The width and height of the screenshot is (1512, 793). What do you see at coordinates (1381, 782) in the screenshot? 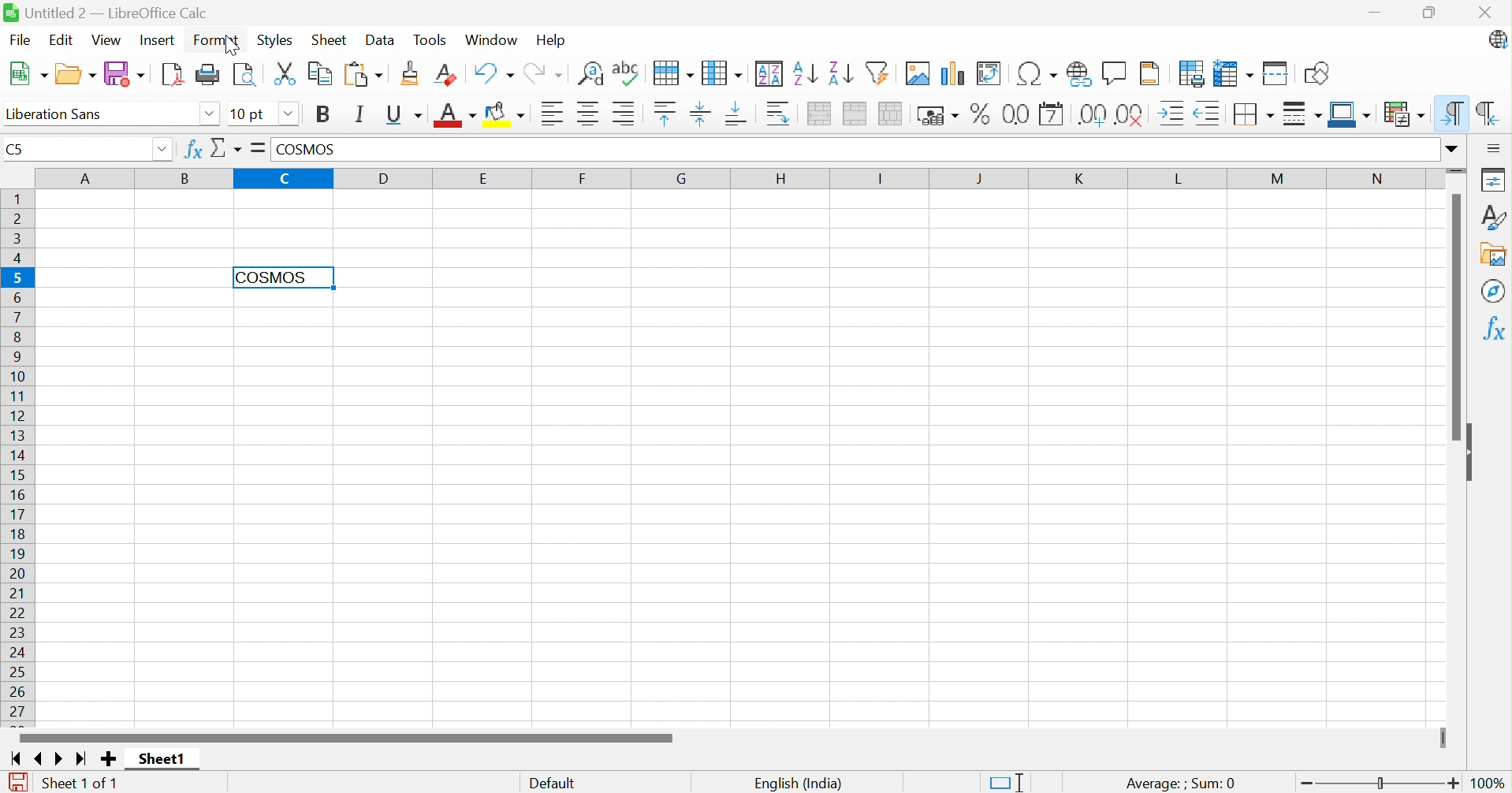
I see `Slider` at bounding box center [1381, 782].